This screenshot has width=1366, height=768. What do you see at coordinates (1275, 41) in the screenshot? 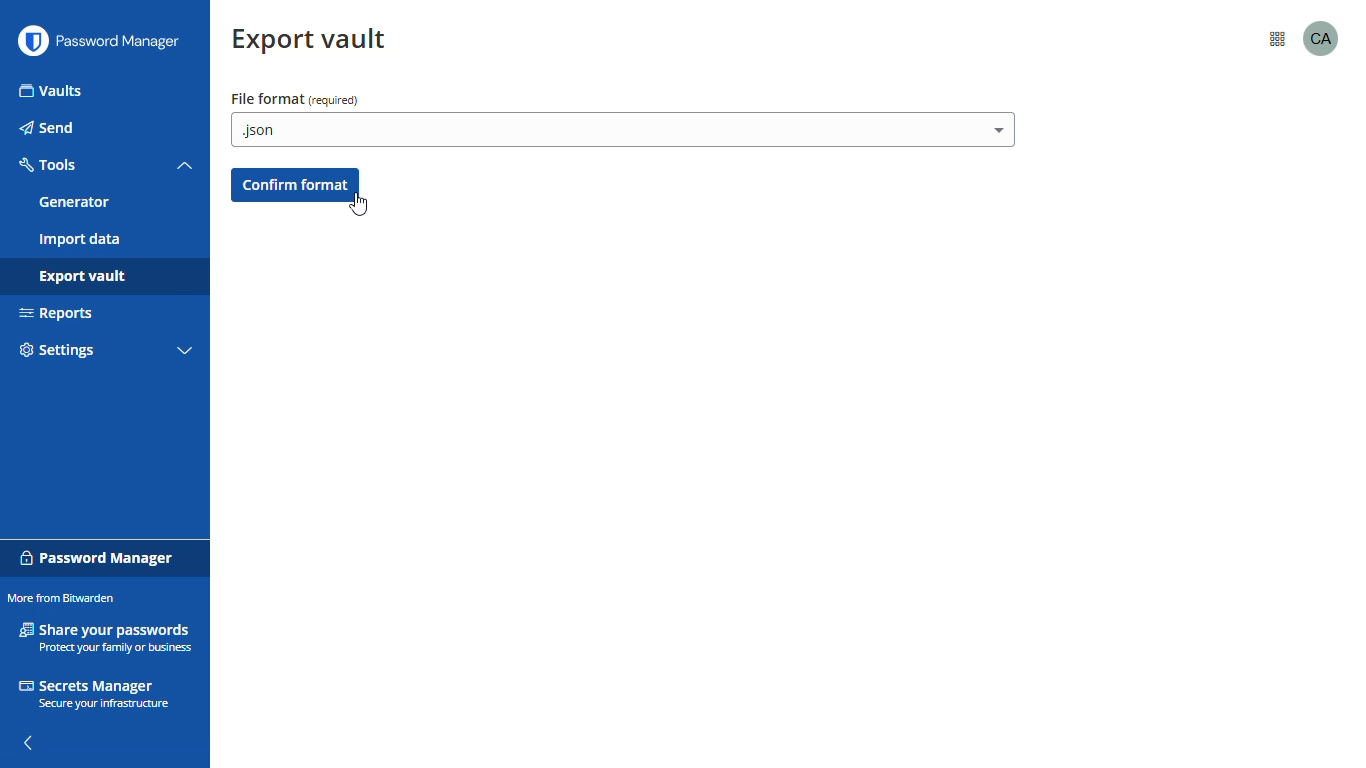
I see `options` at bounding box center [1275, 41].